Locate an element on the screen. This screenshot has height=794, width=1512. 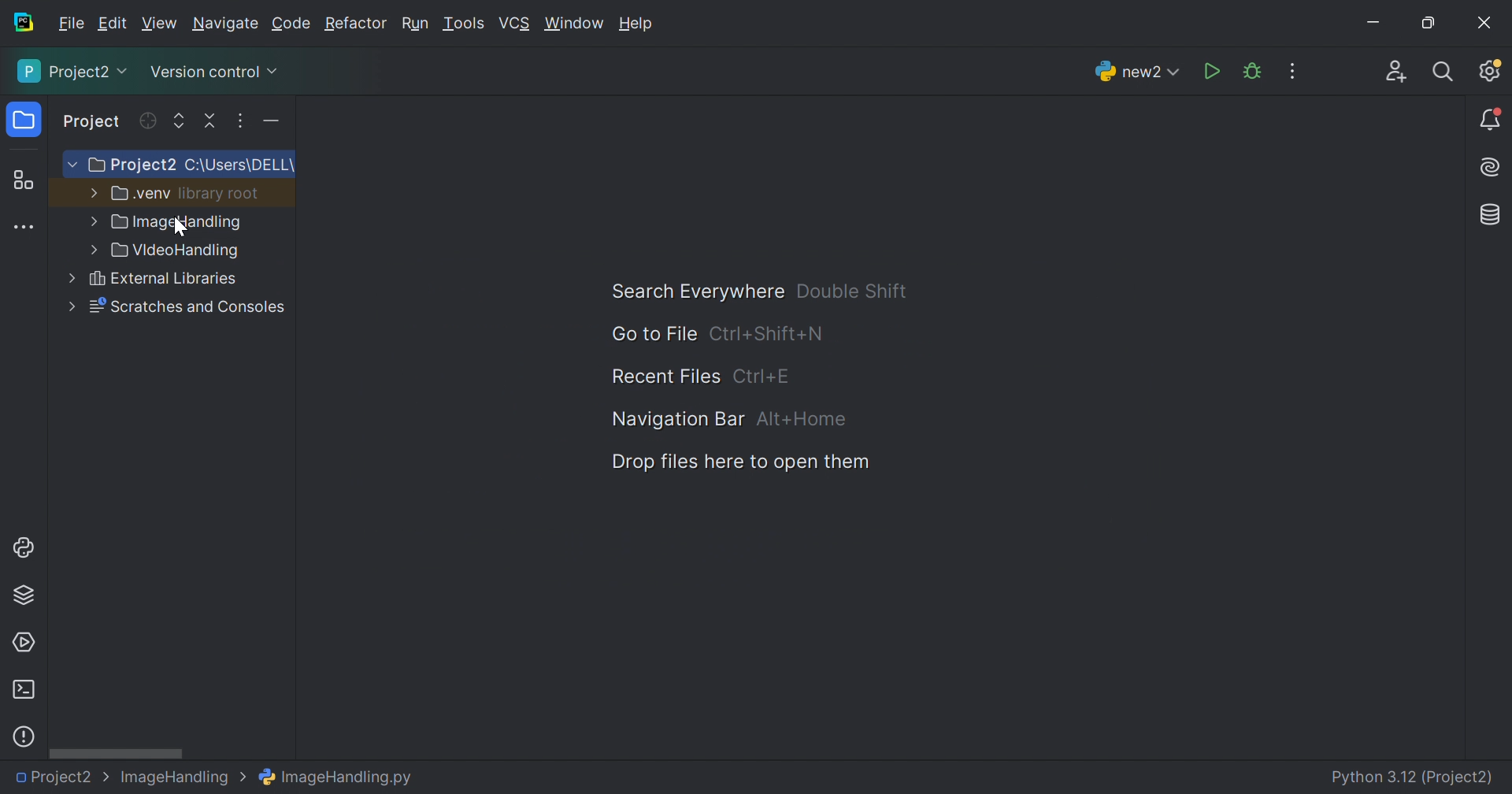
Search everywhere is located at coordinates (1444, 72).